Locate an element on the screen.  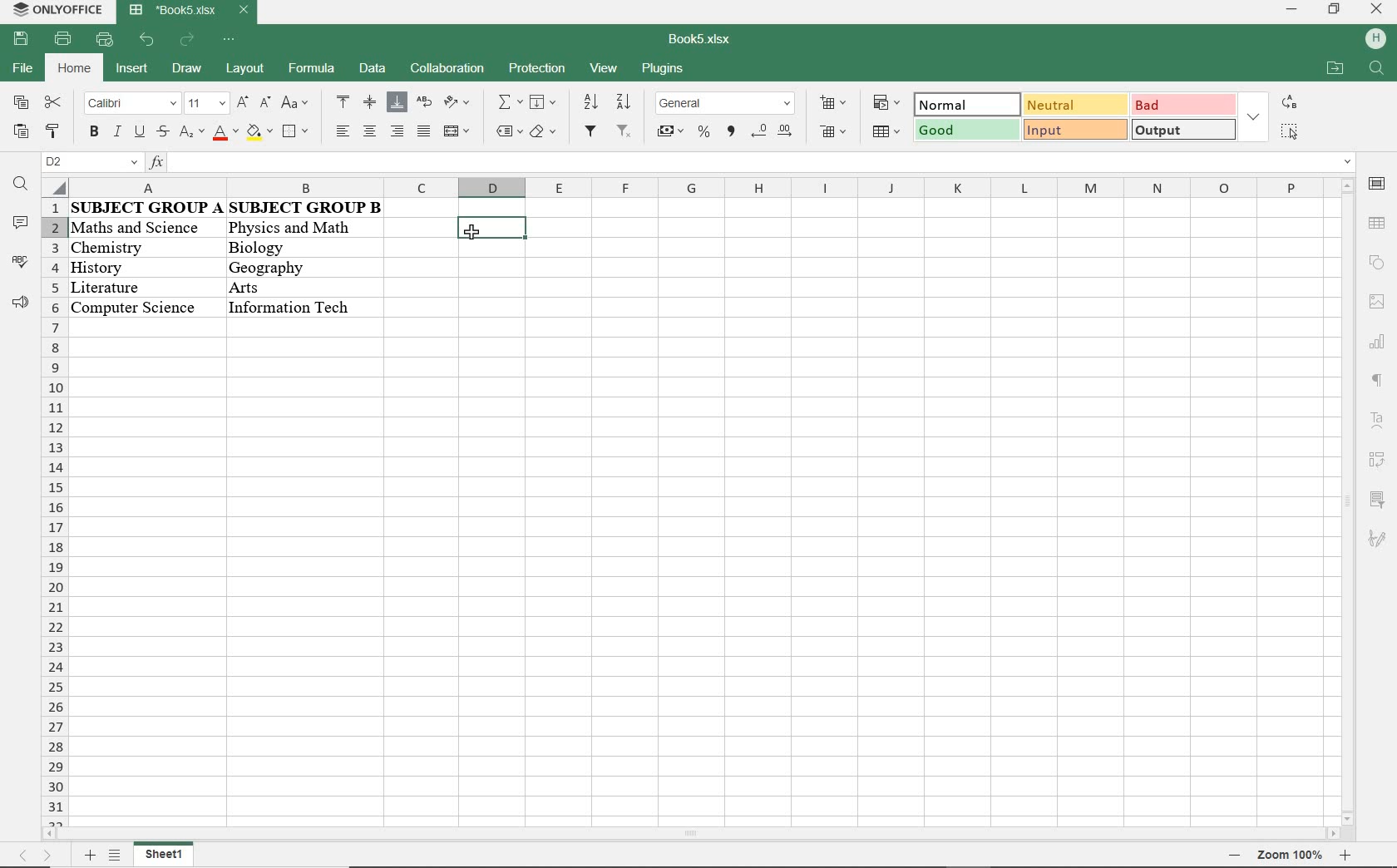
orientation is located at coordinates (457, 103).